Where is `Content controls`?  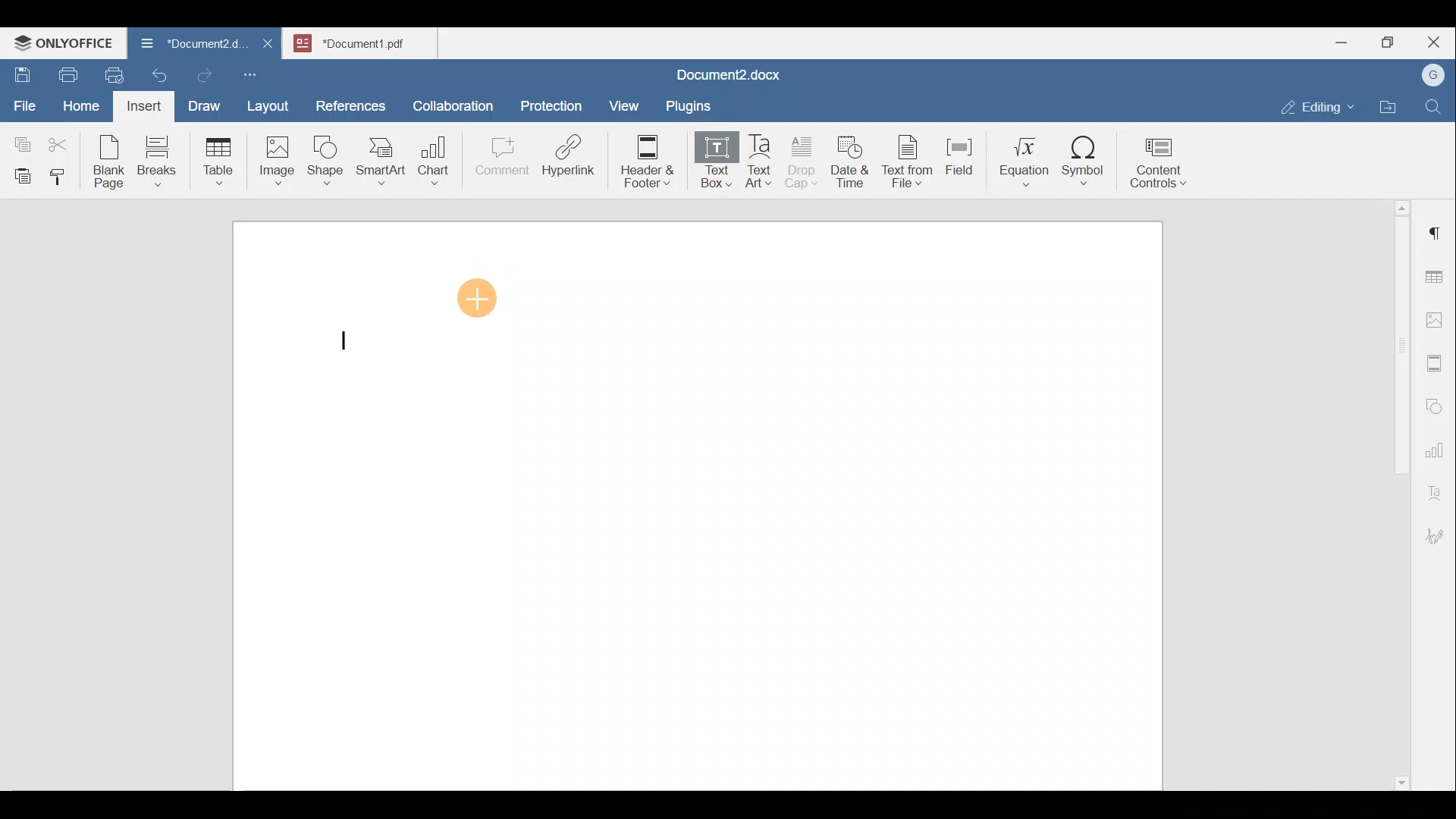 Content controls is located at coordinates (1161, 168).